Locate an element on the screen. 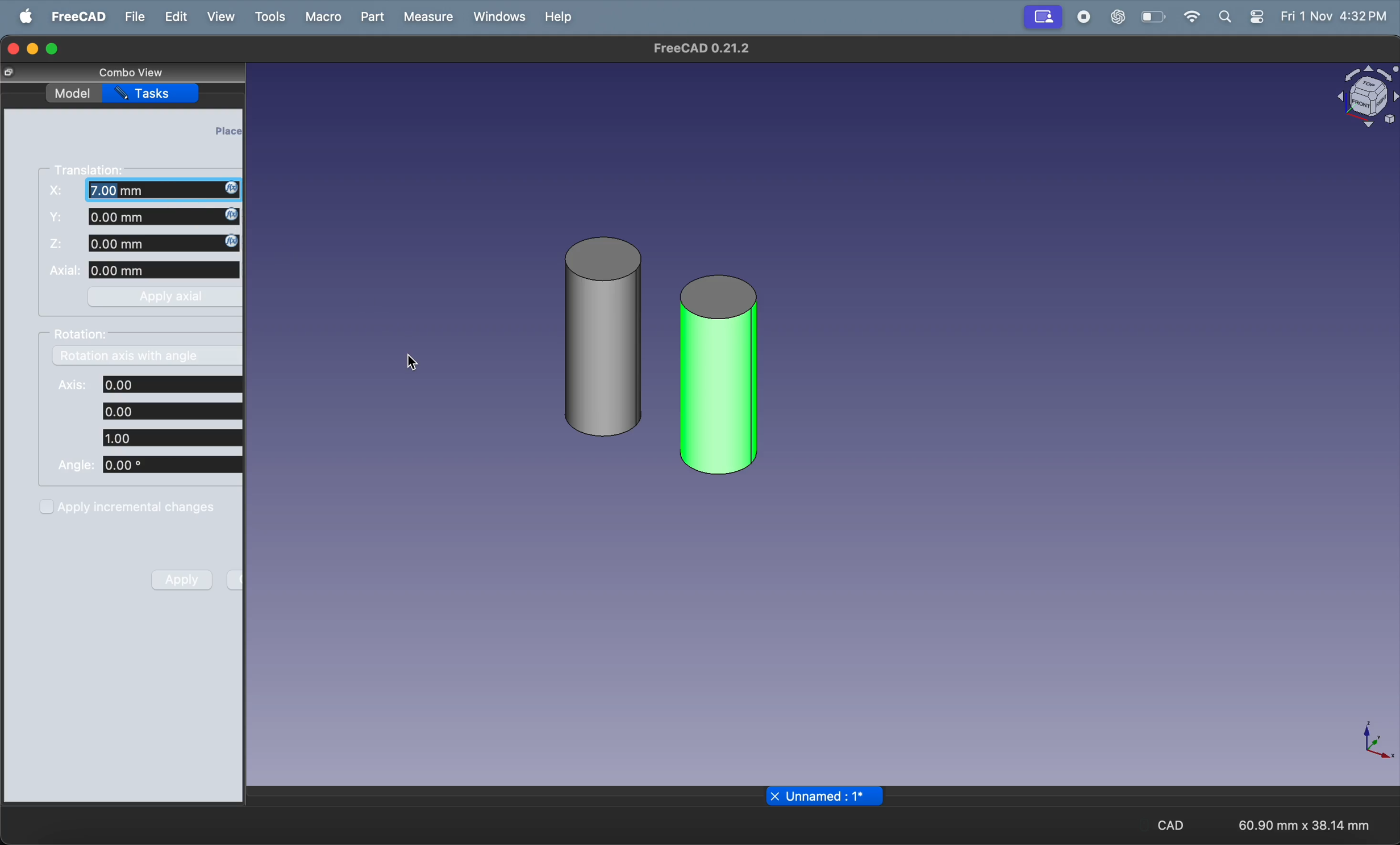 This screenshot has height=845, width=1400. part is located at coordinates (370, 16).